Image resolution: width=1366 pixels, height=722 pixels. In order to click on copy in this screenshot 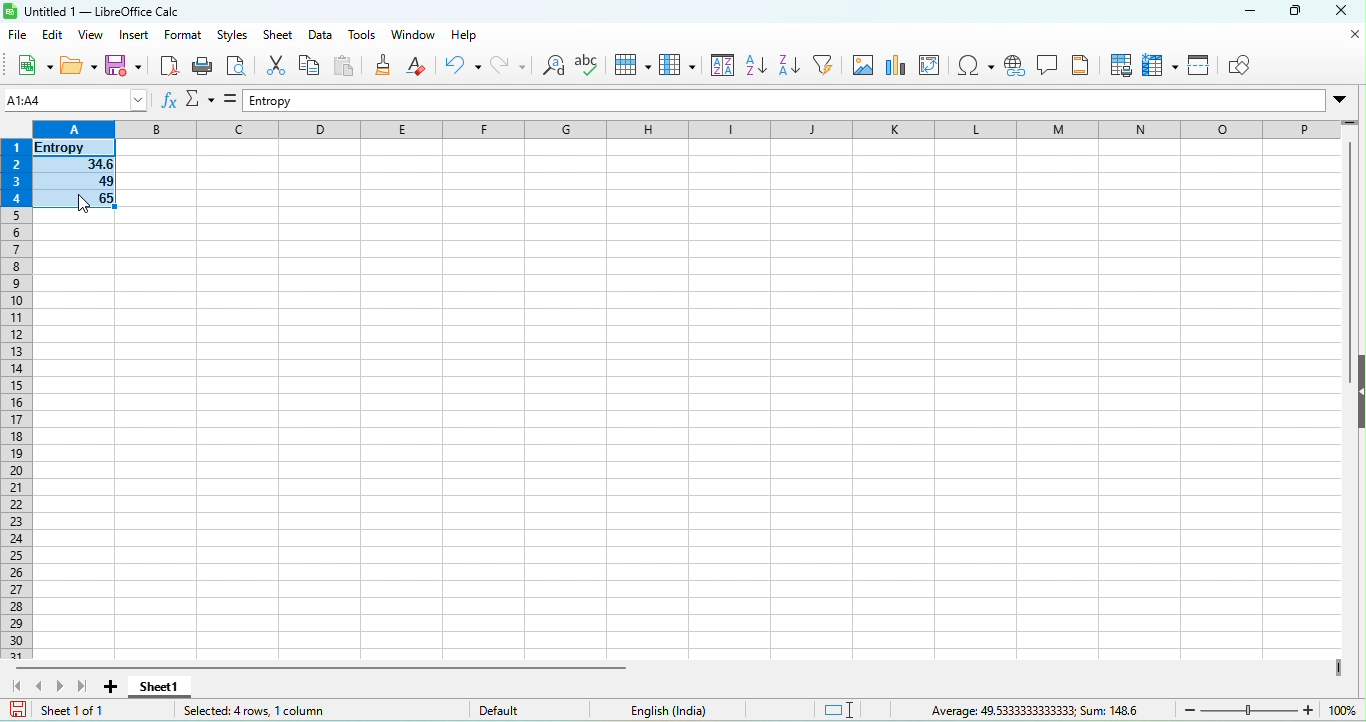, I will do `click(307, 66)`.